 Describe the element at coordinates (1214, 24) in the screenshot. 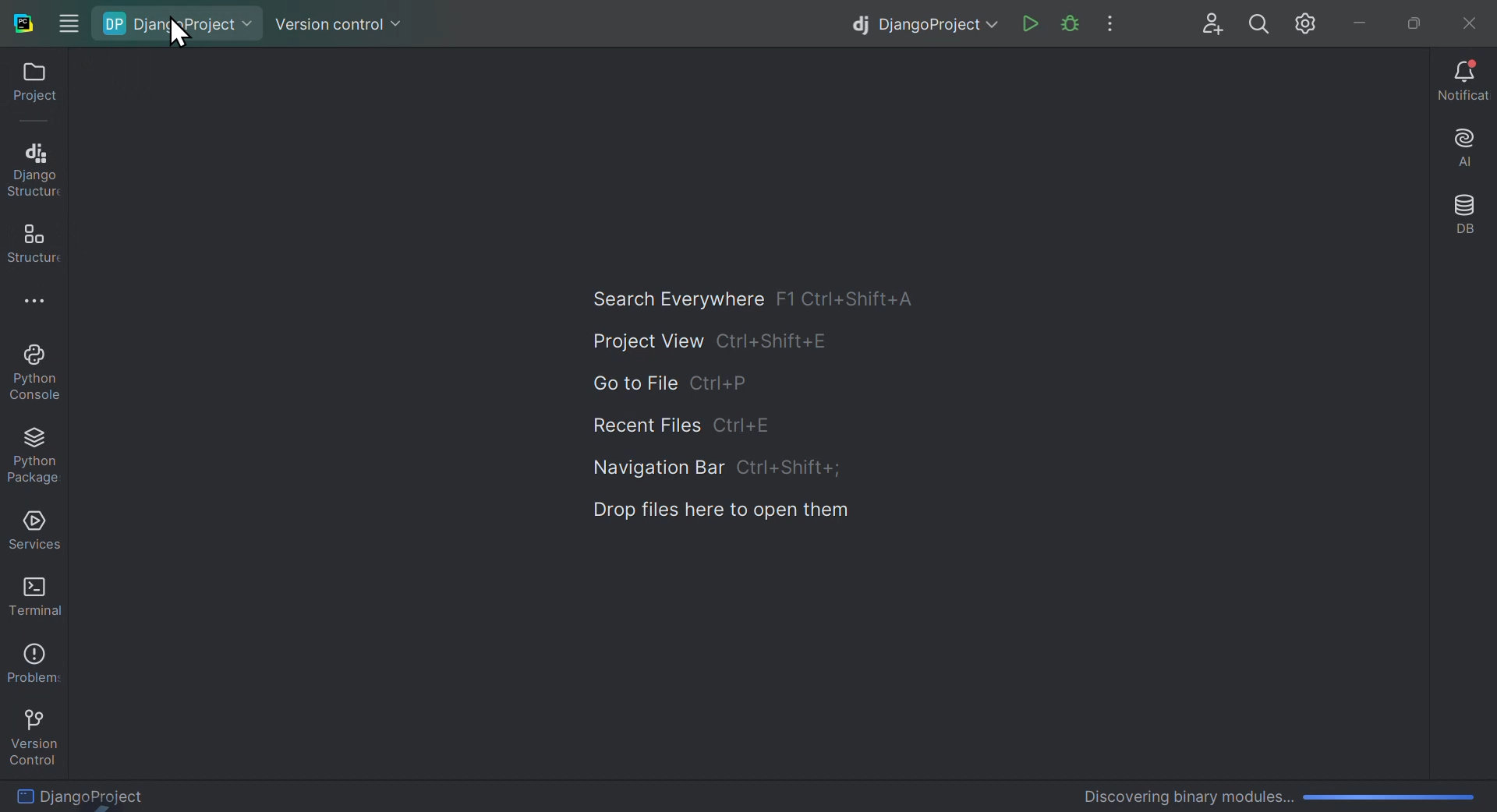

I see `User` at that location.